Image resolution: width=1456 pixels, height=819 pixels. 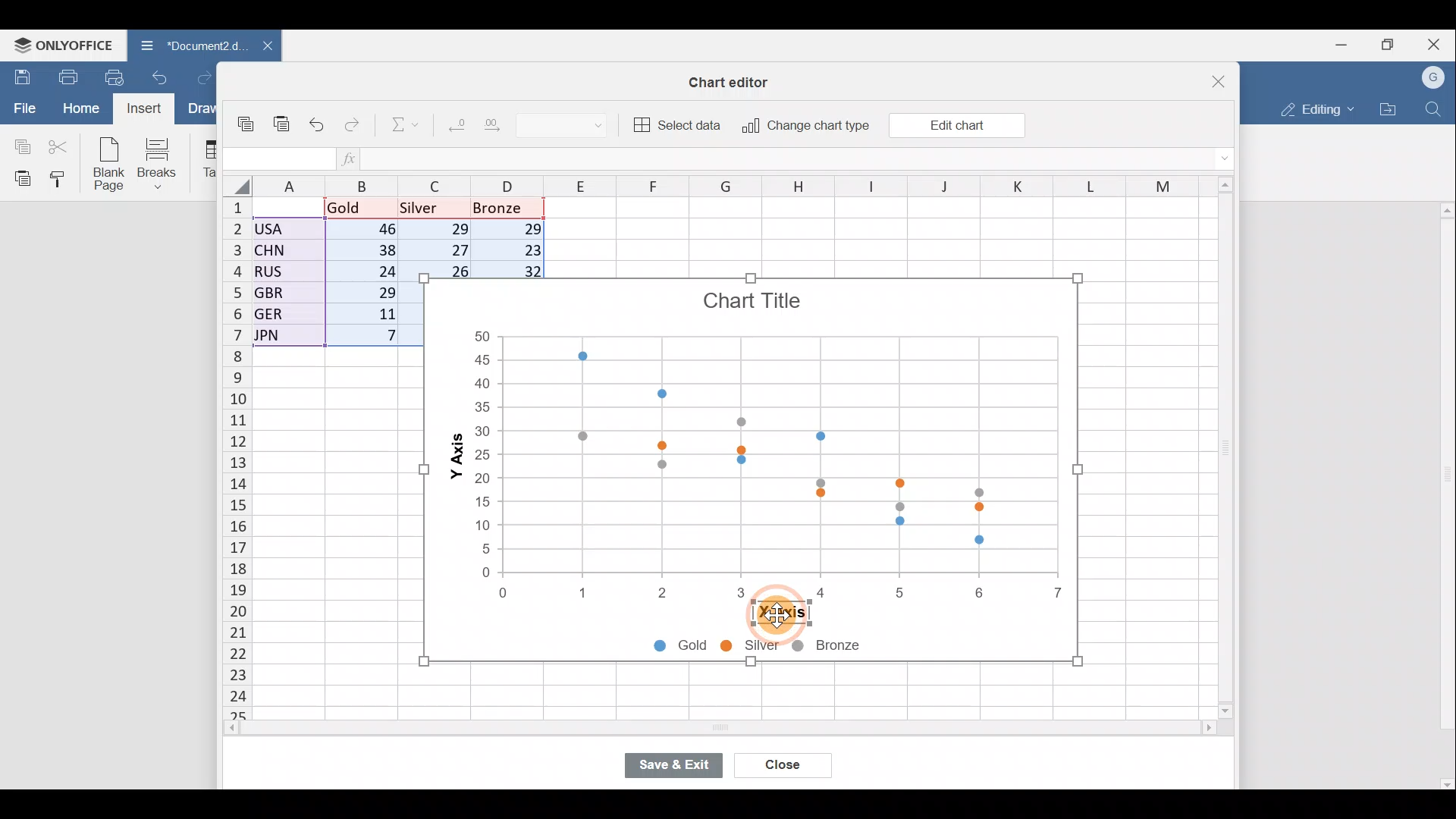 What do you see at coordinates (145, 109) in the screenshot?
I see `Cursor on Insert` at bounding box center [145, 109].